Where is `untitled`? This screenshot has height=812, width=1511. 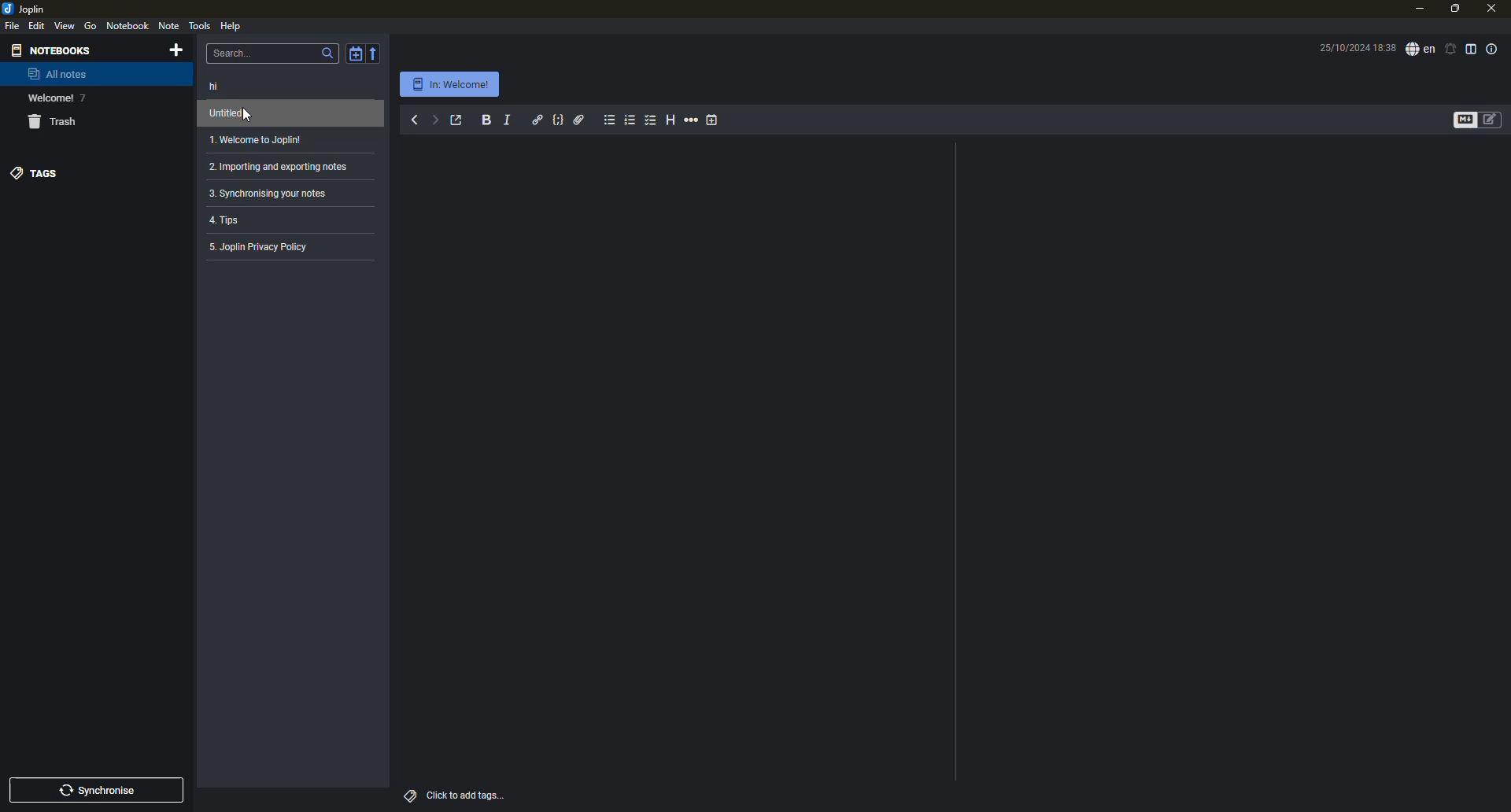 untitled is located at coordinates (225, 114).